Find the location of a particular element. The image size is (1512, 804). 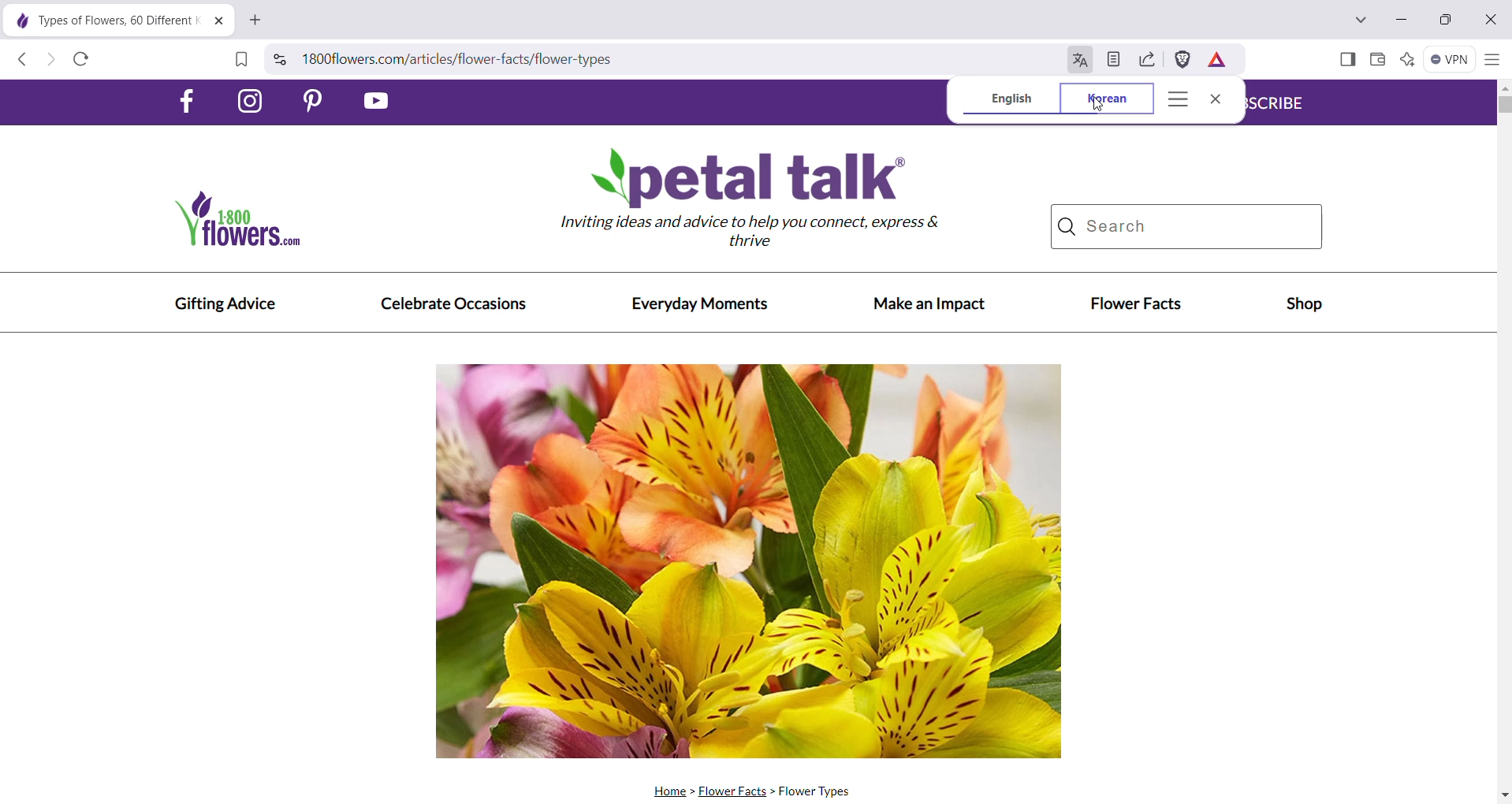

Customize and control Brave is located at coordinates (1492, 58).